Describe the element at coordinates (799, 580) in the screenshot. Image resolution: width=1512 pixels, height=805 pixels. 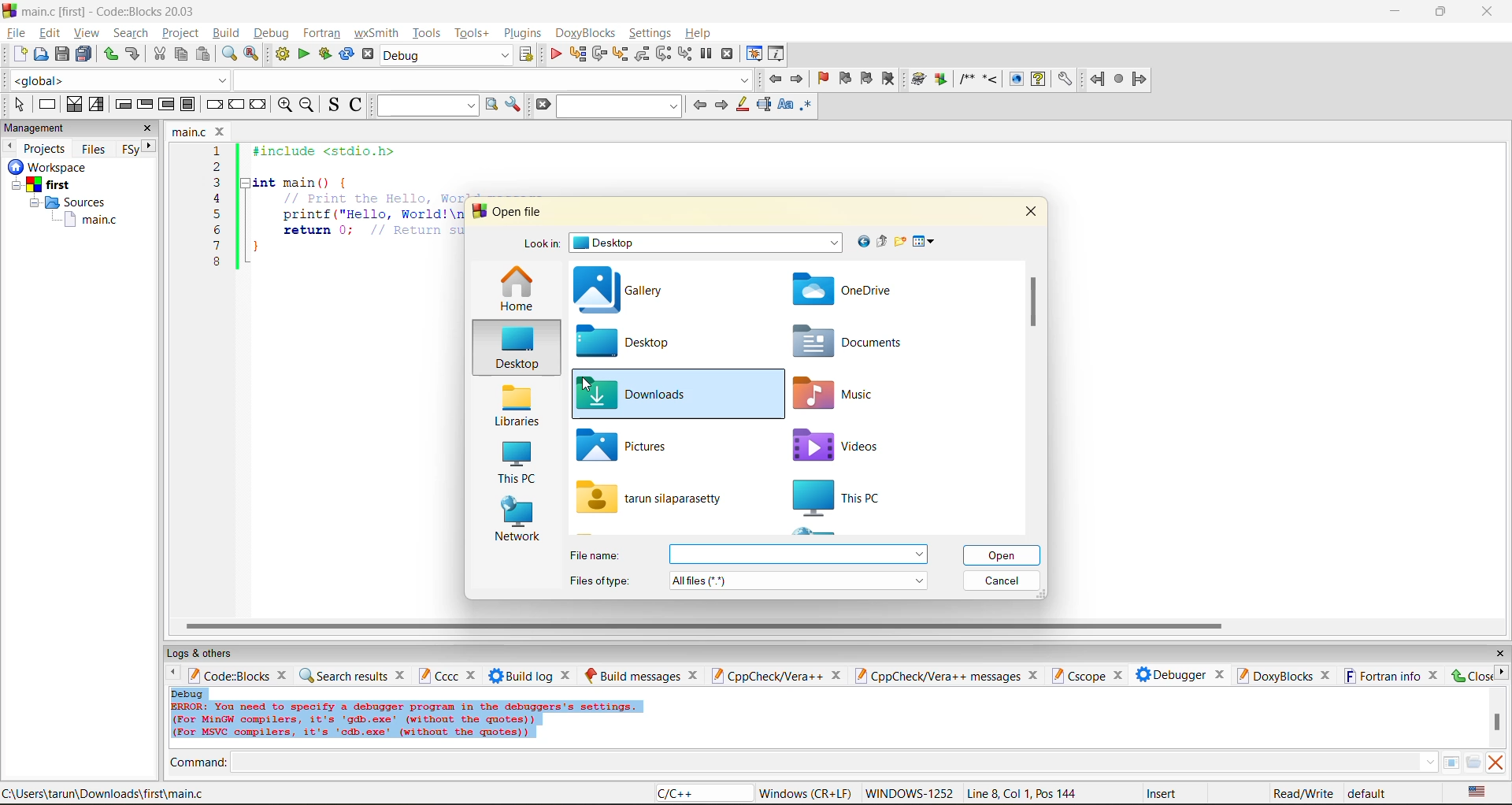
I see `file type menu` at that location.